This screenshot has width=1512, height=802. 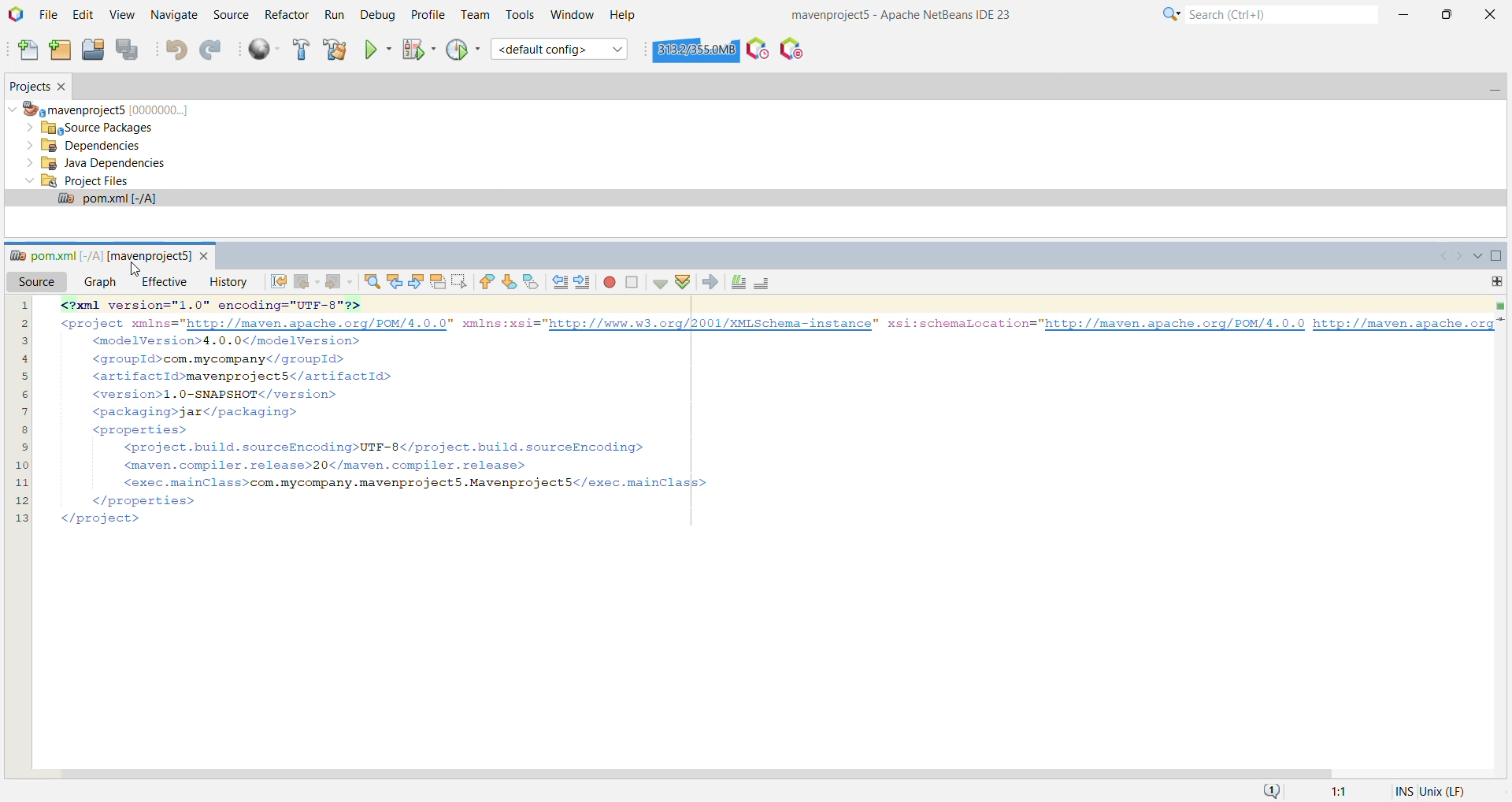 I want to click on close, so click(x=206, y=255).